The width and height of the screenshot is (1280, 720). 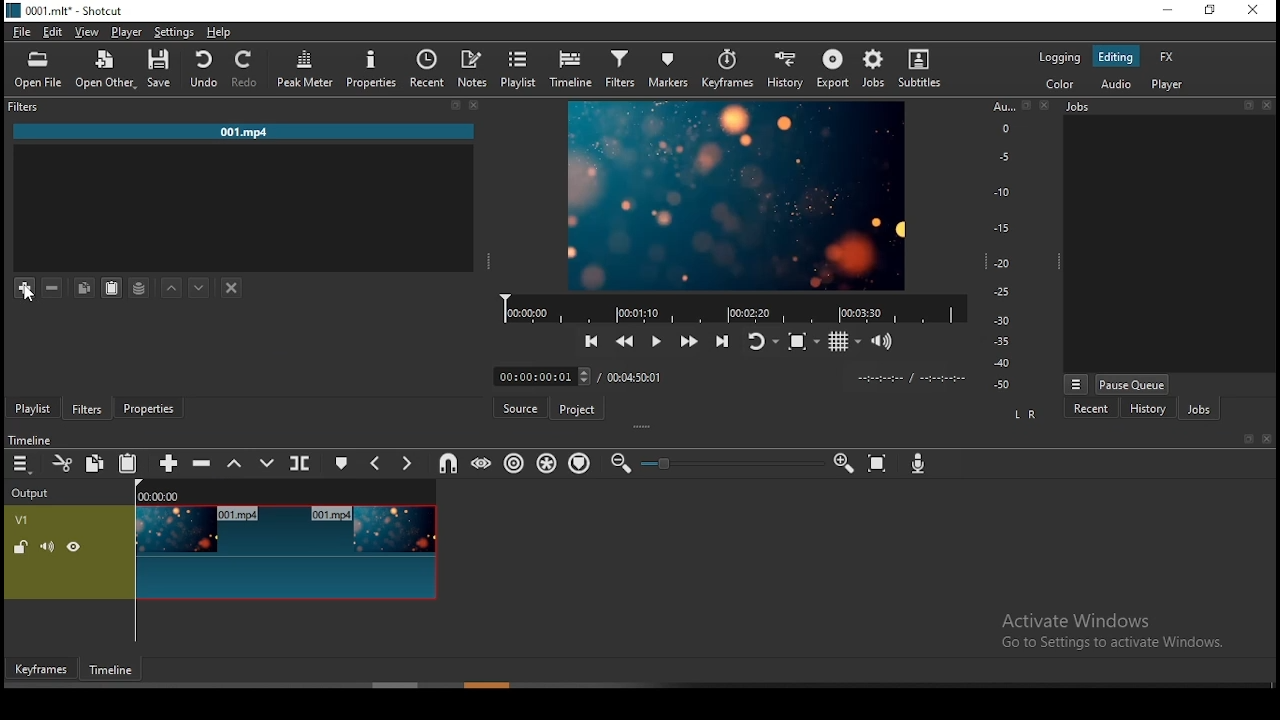 What do you see at coordinates (68, 10) in the screenshot?
I see `0001. mit" - Shotcut` at bounding box center [68, 10].